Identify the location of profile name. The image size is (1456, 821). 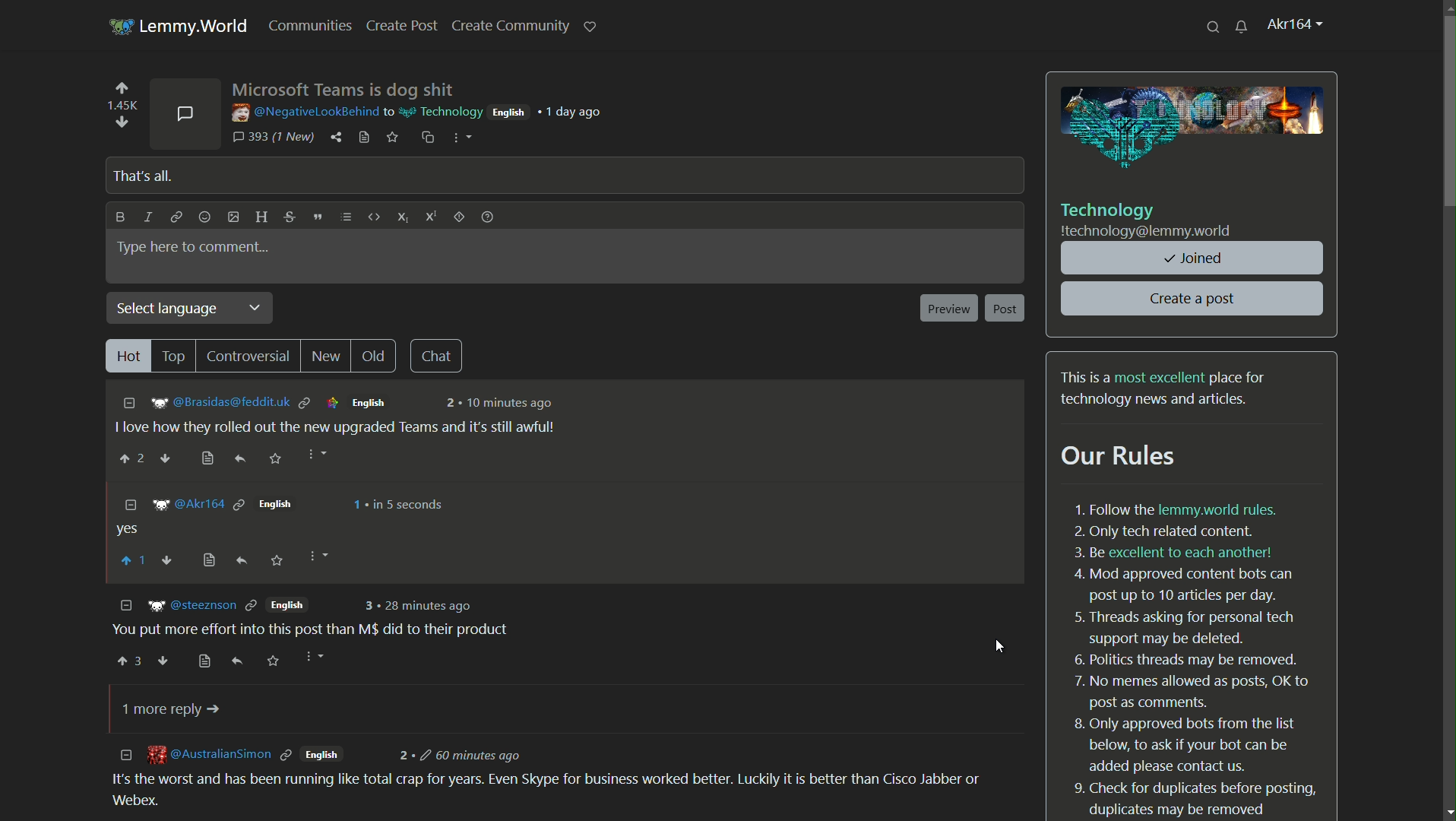
(1296, 25).